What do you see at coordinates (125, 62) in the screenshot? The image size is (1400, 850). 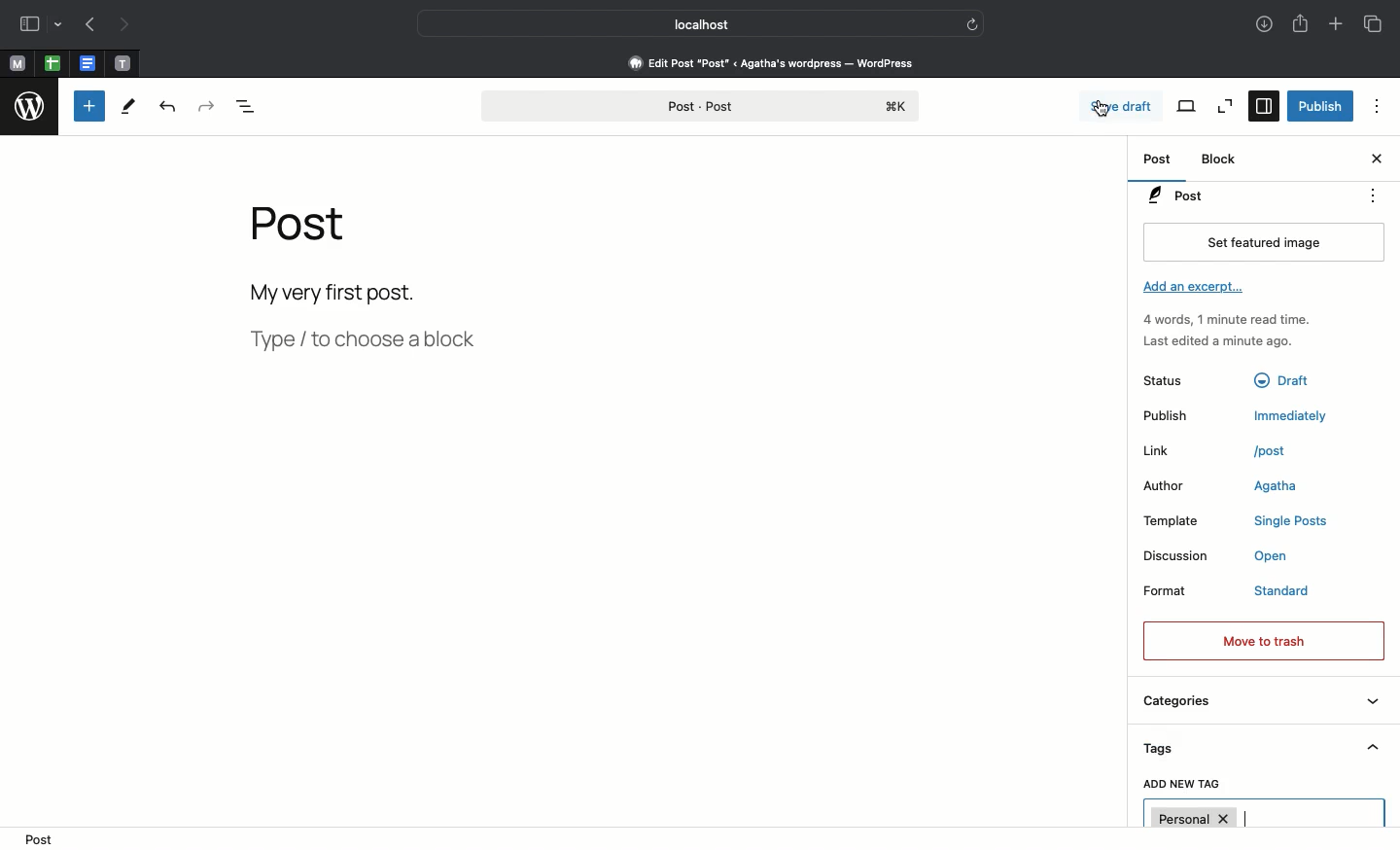 I see `Pinned tabs` at bounding box center [125, 62].